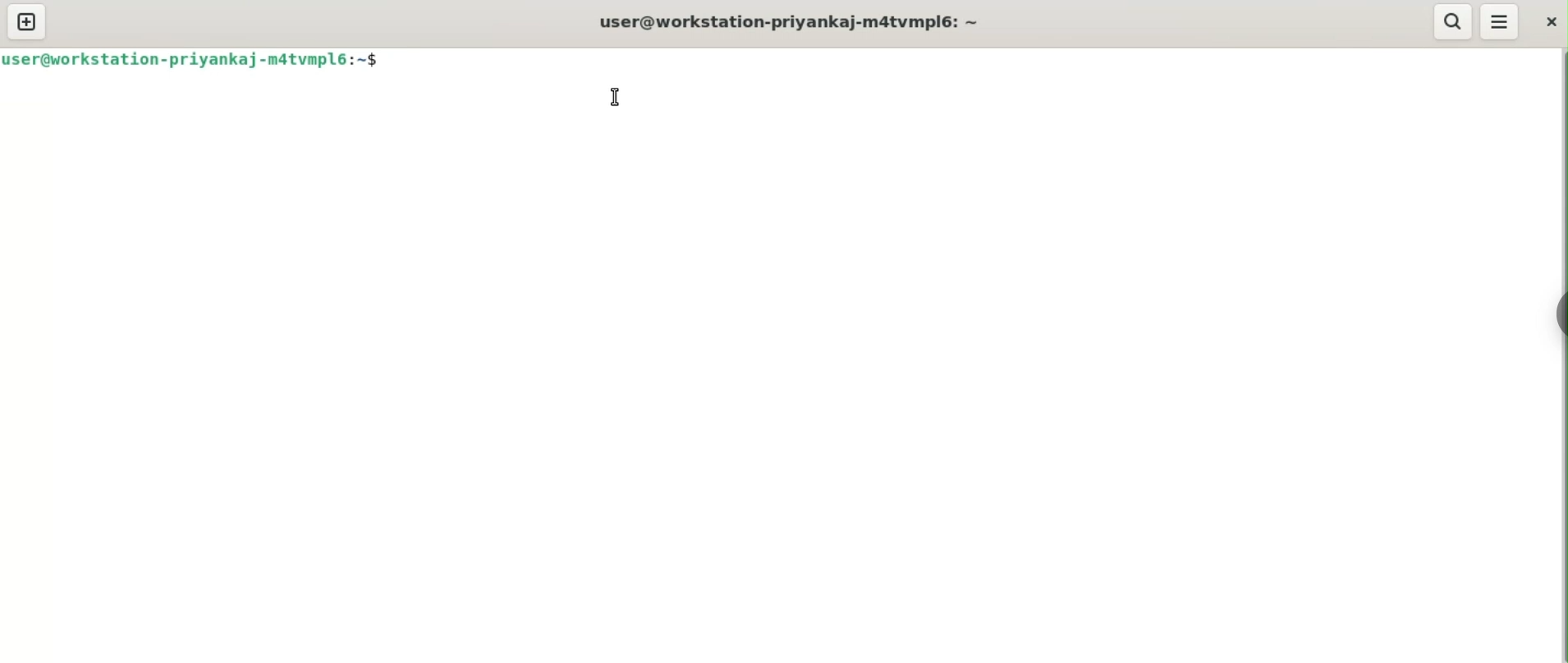  Describe the element at coordinates (1548, 21) in the screenshot. I see `close` at that location.